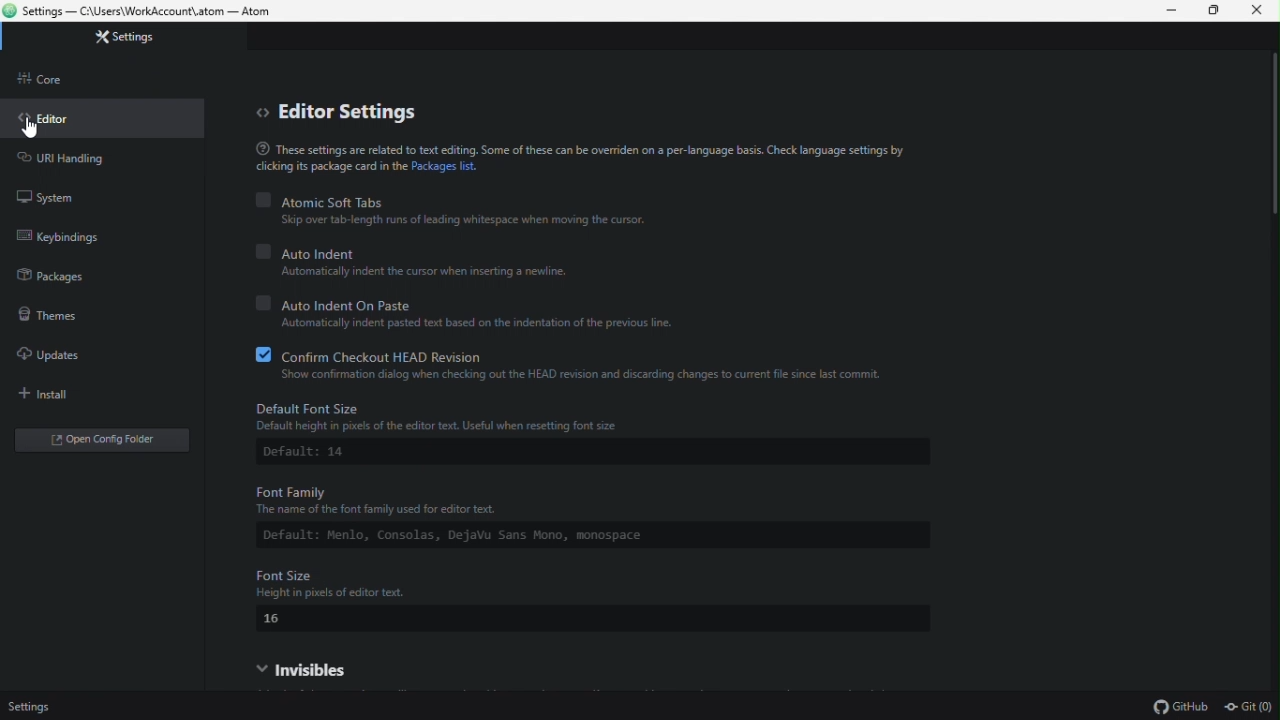 The image size is (1280, 720). What do you see at coordinates (55, 395) in the screenshot?
I see `Install ` at bounding box center [55, 395].